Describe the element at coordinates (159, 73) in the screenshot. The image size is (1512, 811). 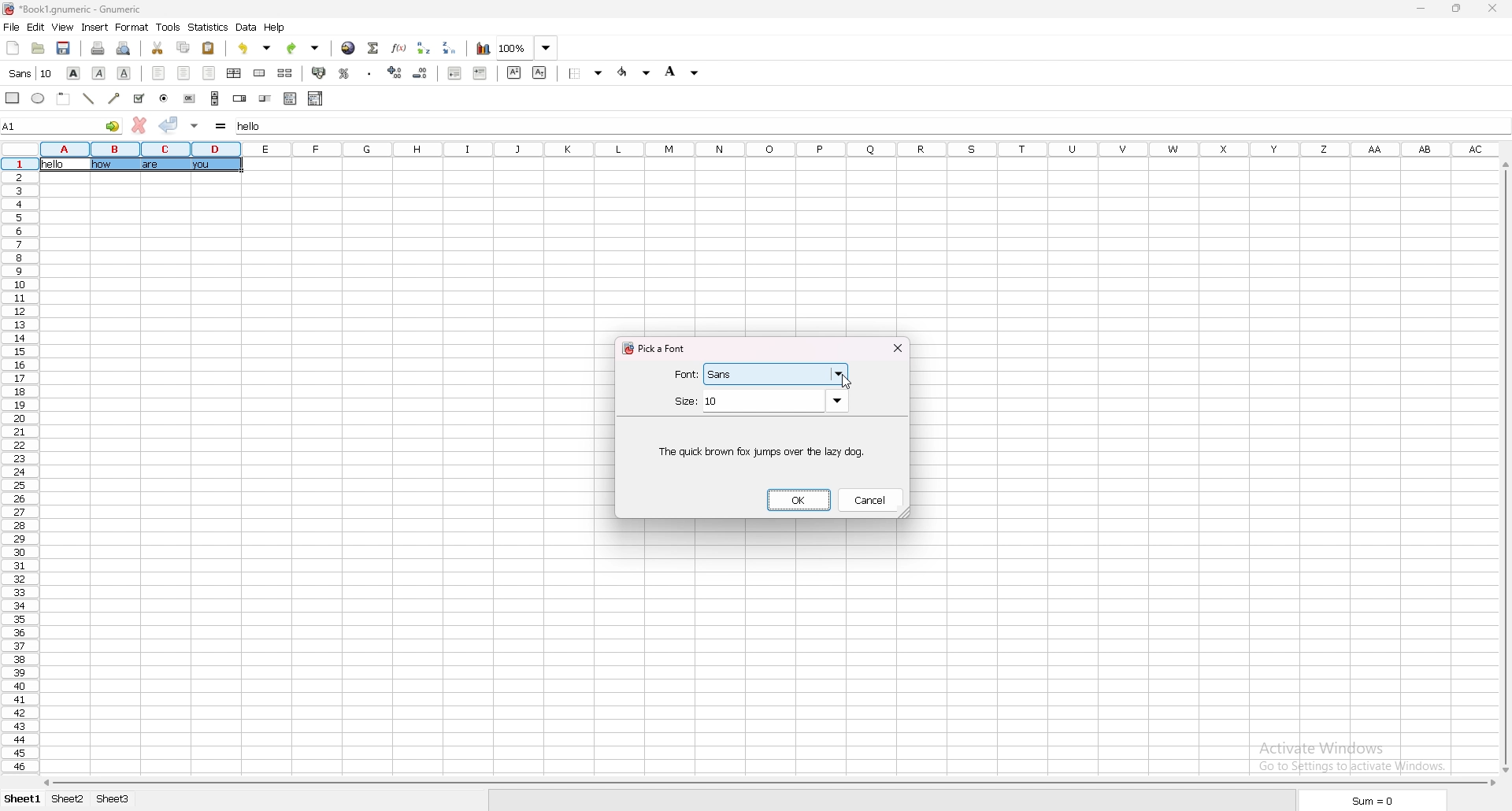
I see `left align` at that location.